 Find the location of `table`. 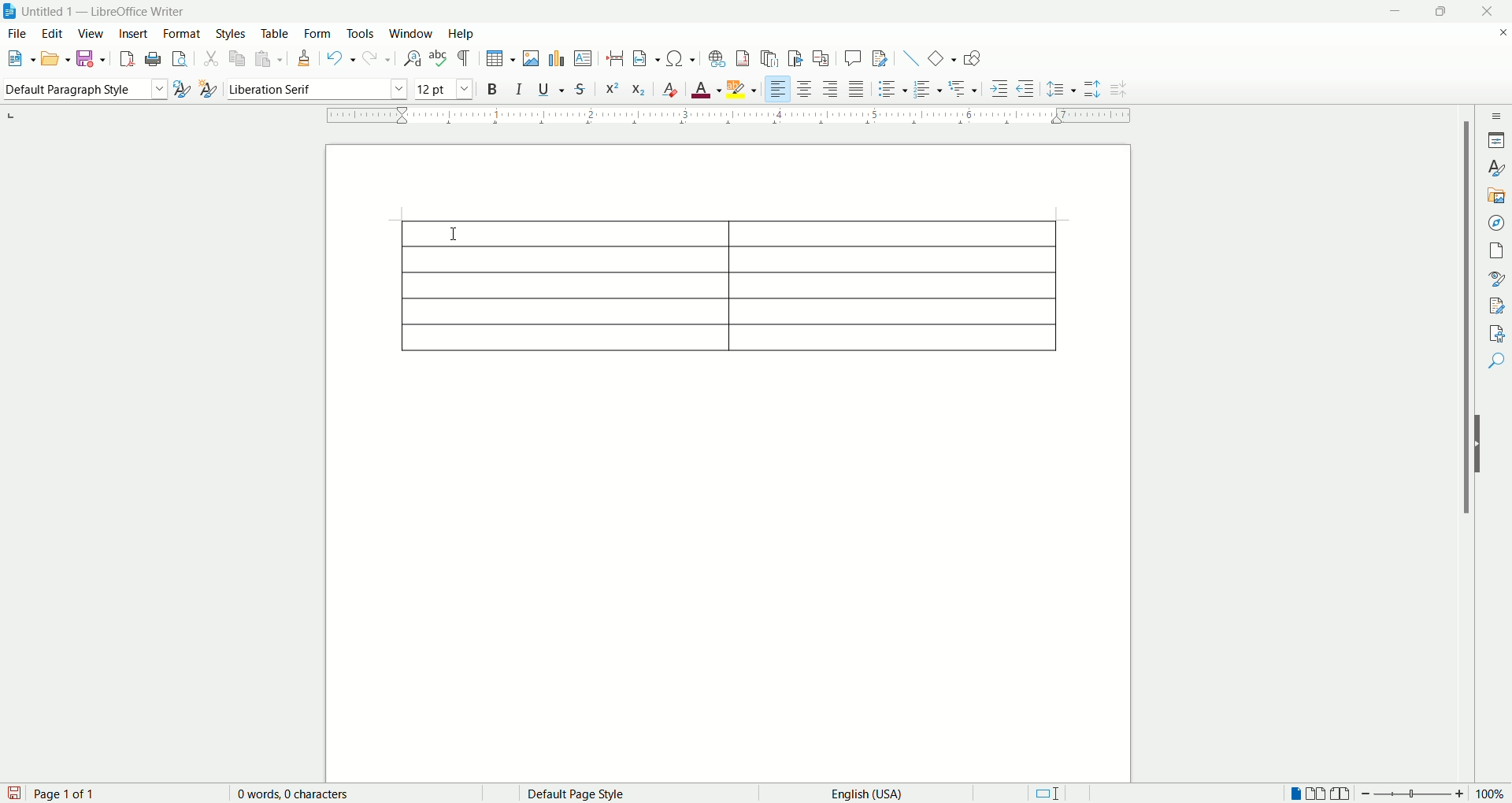

table is located at coordinates (275, 34).